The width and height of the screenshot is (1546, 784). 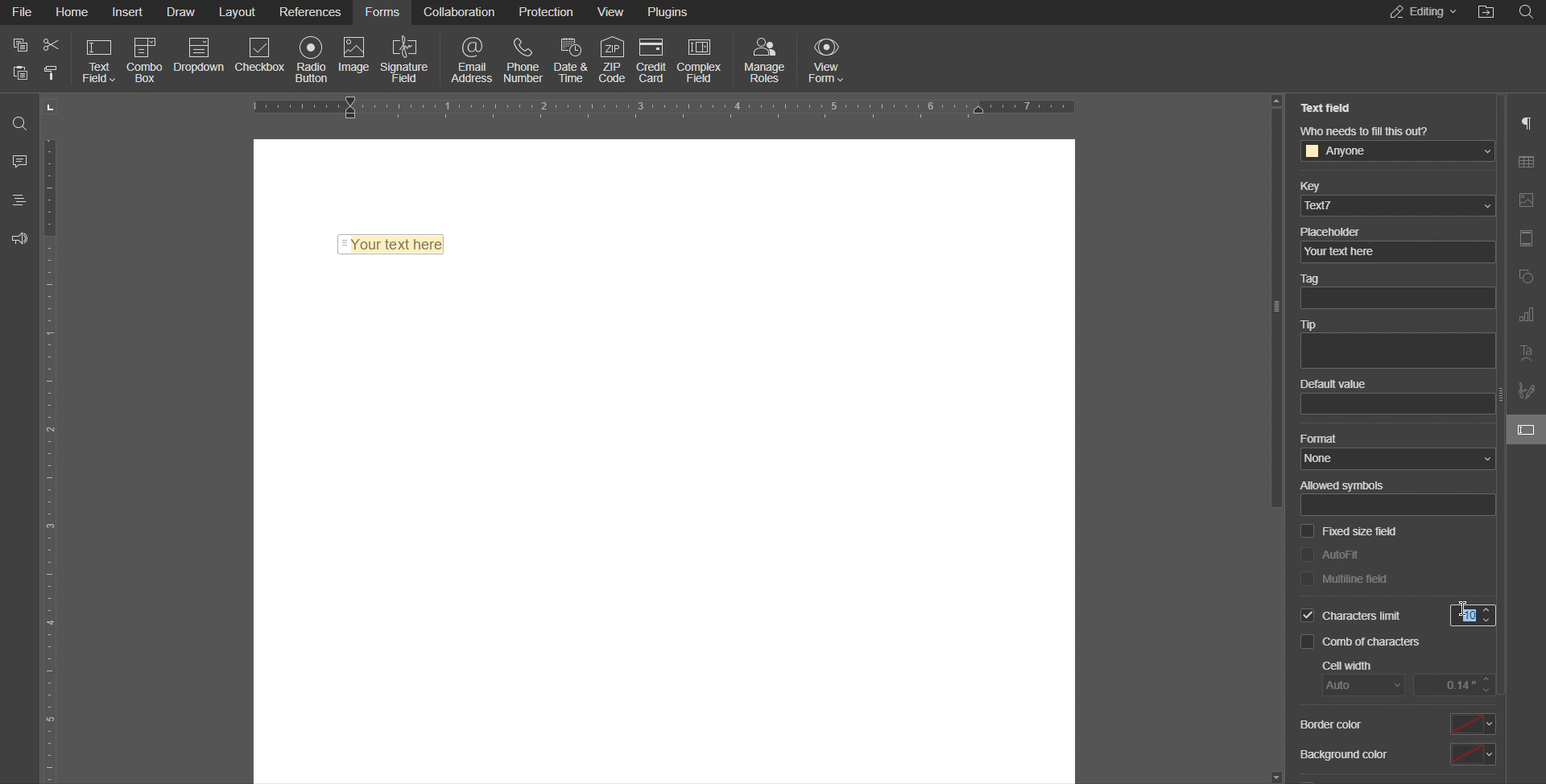 What do you see at coordinates (548, 12) in the screenshot?
I see `Protection` at bounding box center [548, 12].